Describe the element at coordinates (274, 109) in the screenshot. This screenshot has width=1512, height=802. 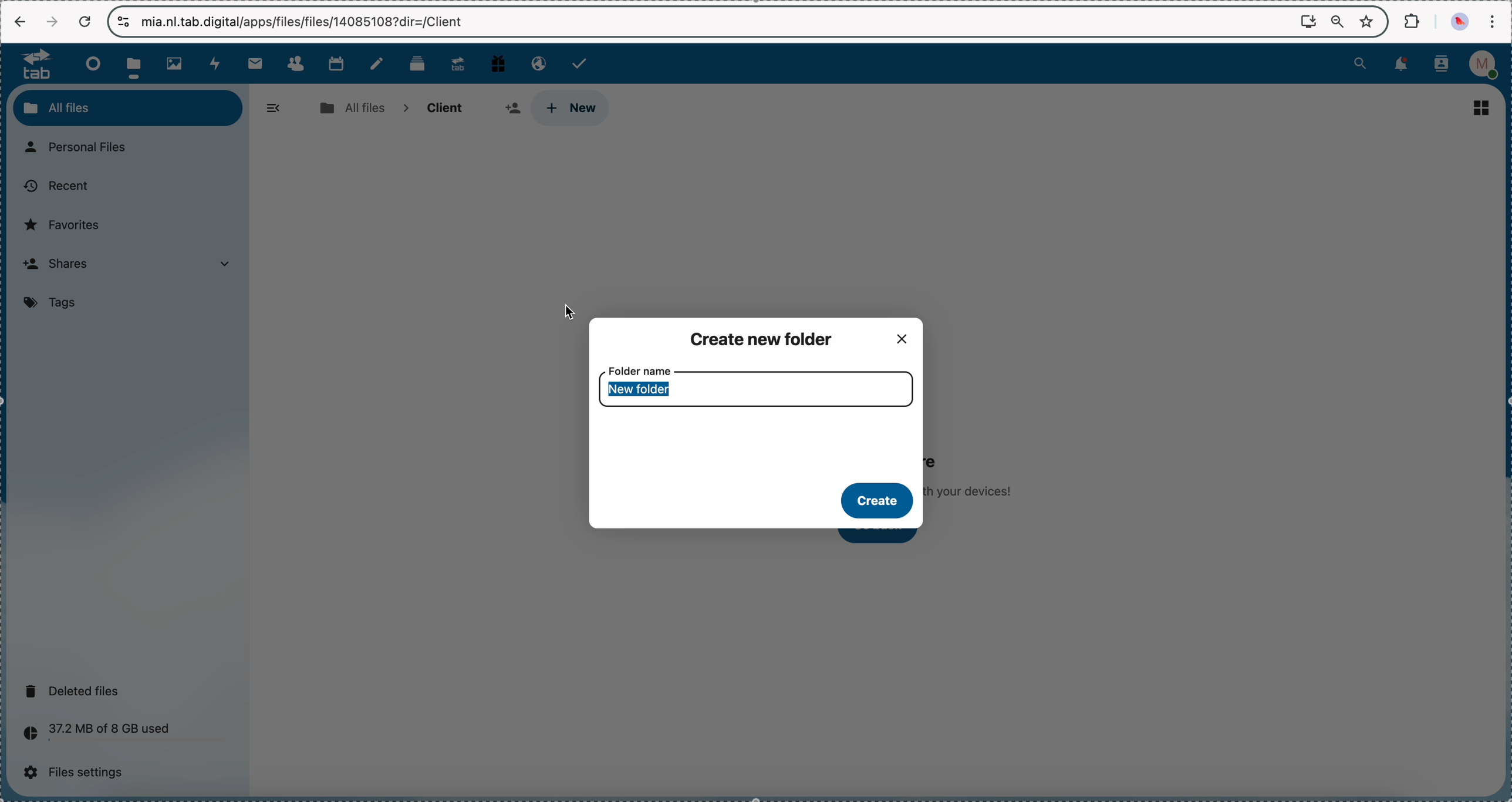
I see `hide menu` at that location.